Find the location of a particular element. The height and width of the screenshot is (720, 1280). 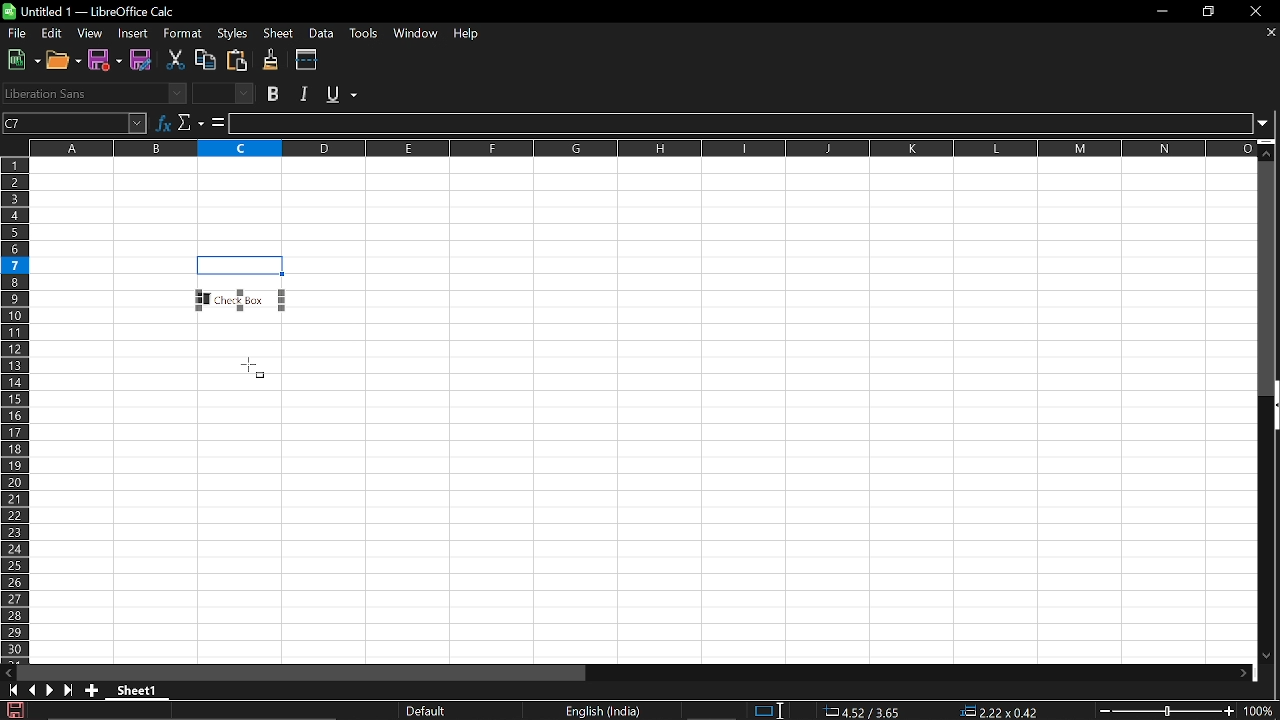

Add sheet is located at coordinates (91, 690).